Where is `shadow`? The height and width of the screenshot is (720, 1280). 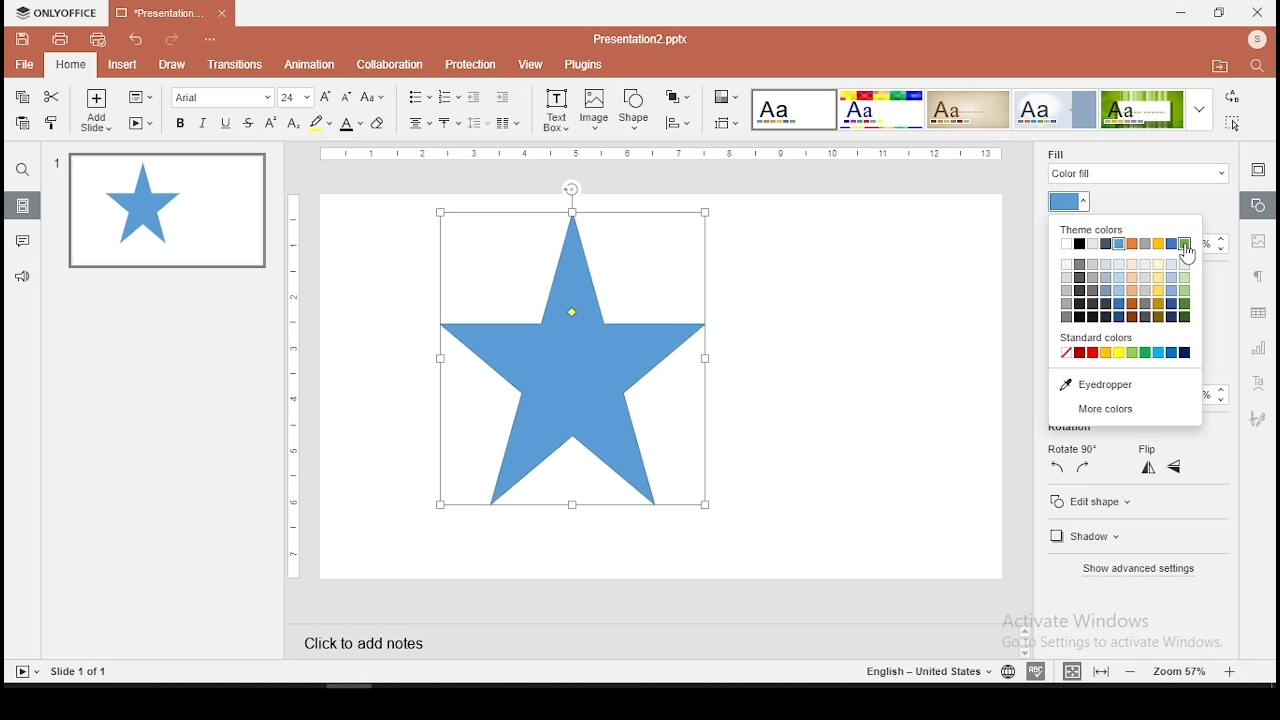
shadow is located at coordinates (1085, 537).